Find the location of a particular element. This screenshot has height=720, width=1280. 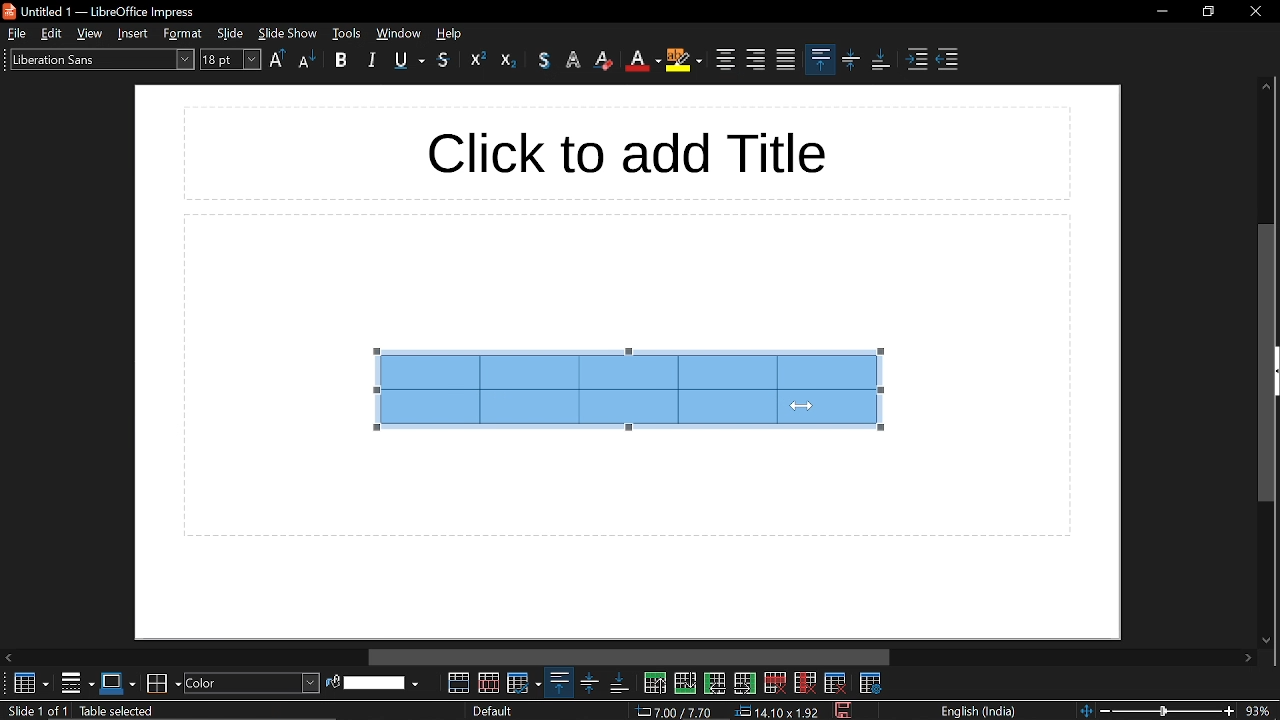

insert is located at coordinates (132, 34).